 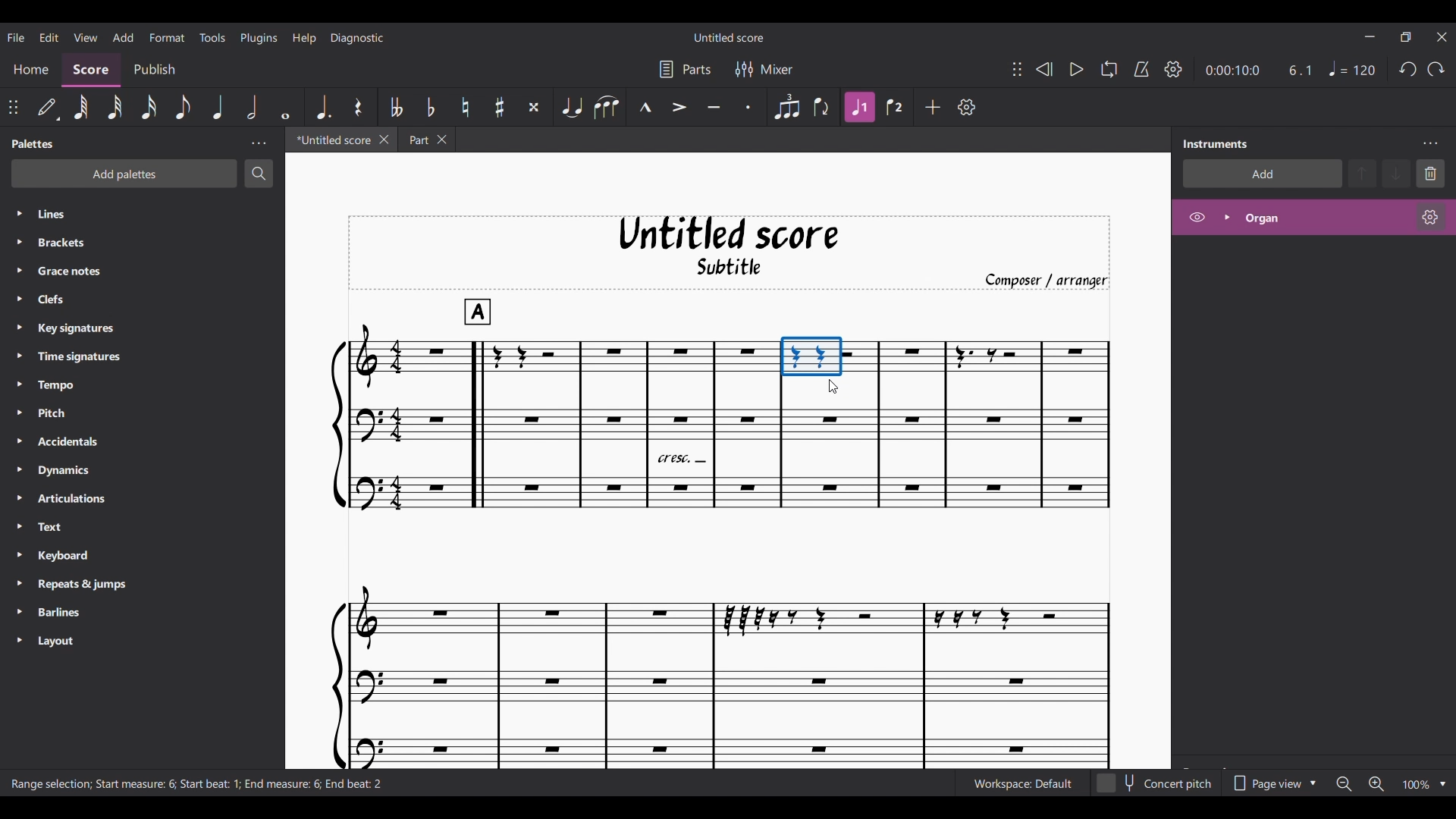 What do you see at coordinates (535, 106) in the screenshot?
I see `Toggle double sharp` at bounding box center [535, 106].